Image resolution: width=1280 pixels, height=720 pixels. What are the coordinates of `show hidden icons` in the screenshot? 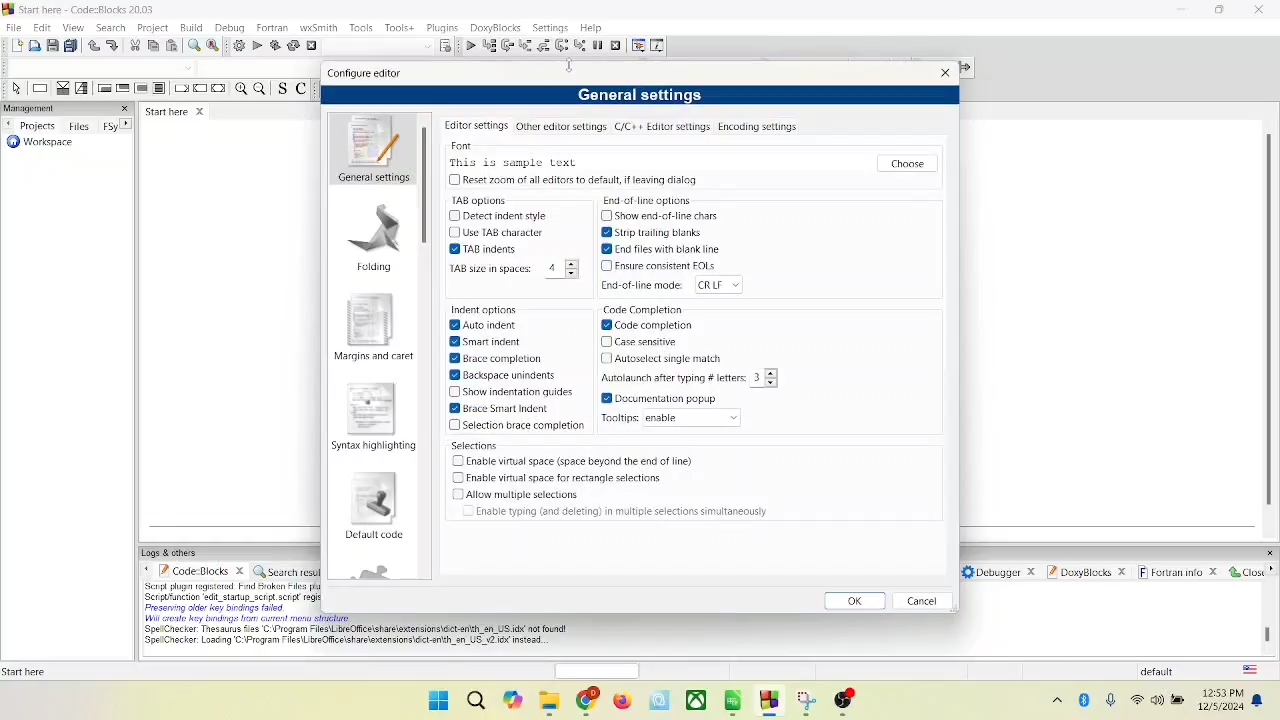 It's located at (1048, 703).